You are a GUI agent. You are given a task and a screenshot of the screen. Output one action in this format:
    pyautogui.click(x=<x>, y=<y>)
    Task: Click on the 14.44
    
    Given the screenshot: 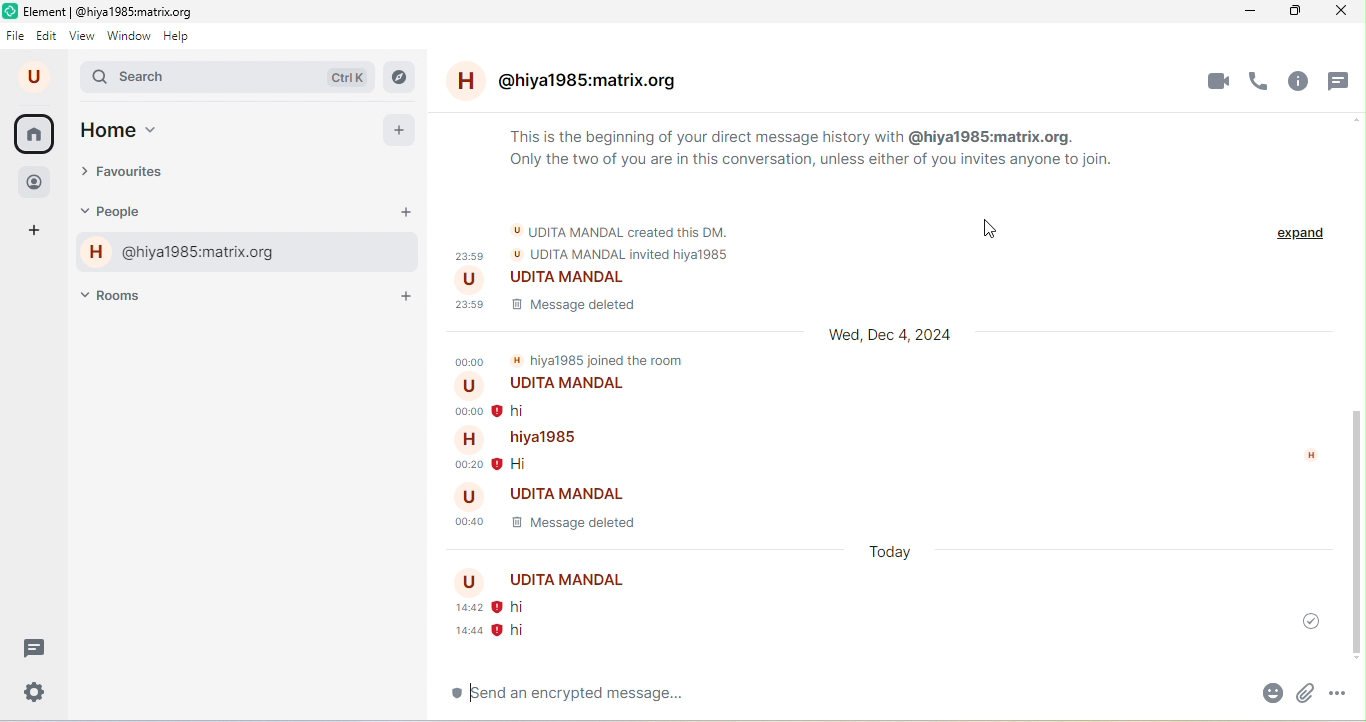 What is the action you would take?
    pyautogui.click(x=461, y=631)
    